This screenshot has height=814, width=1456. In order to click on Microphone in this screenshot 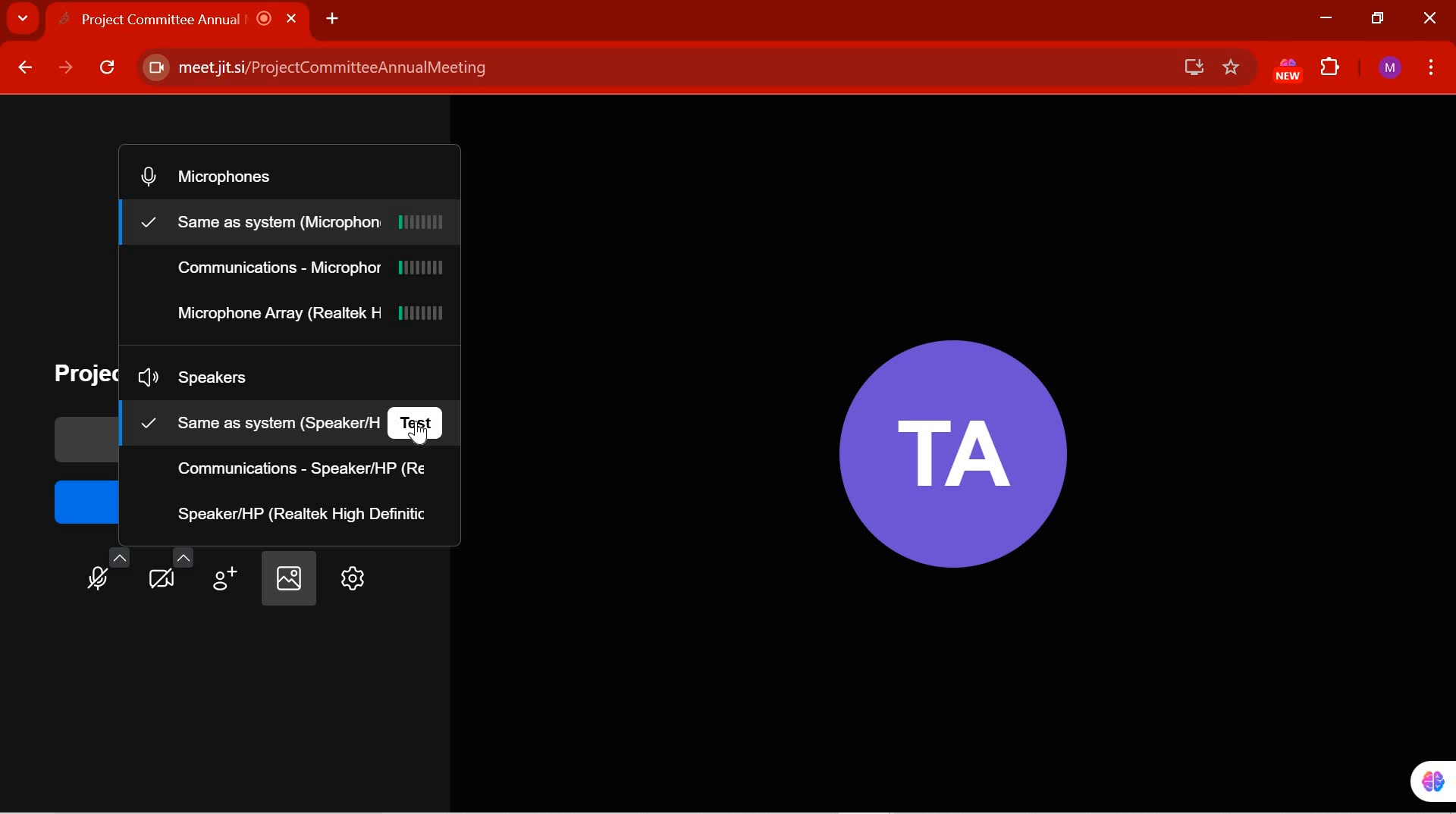, I will do `click(109, 569)`.